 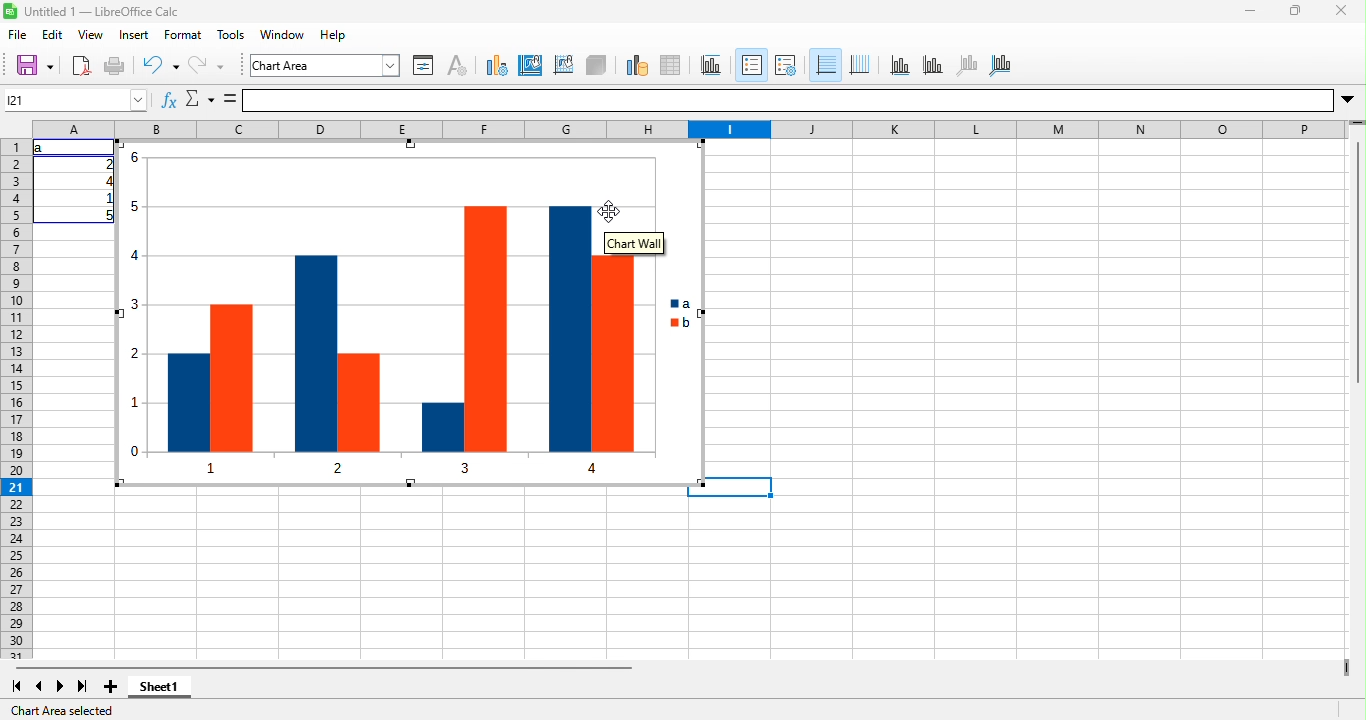 I want to click on title, so click(x=712, y=67).